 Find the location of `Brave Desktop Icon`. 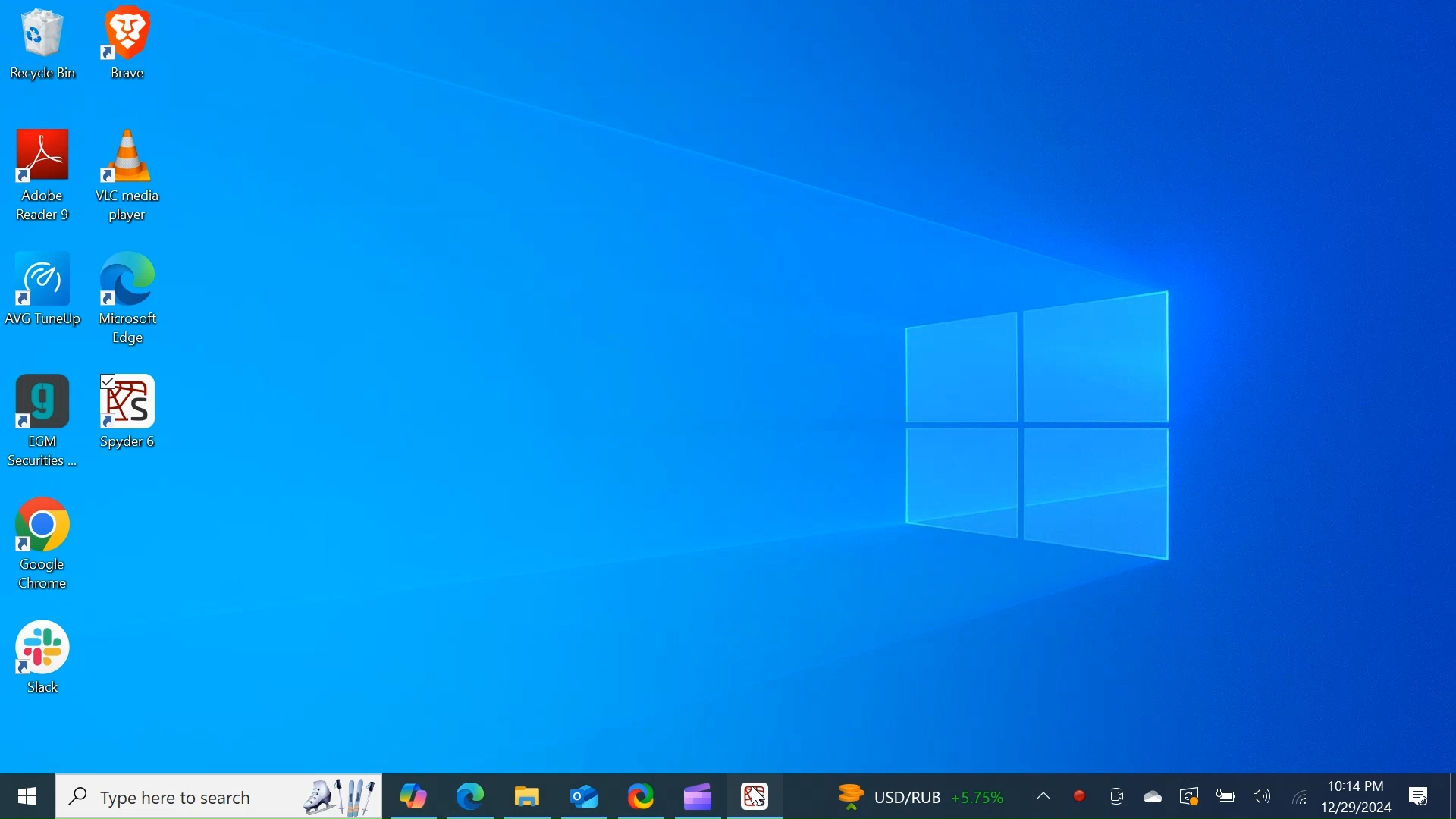

Brave Desktop Icon is located at coordinates (130, 46).